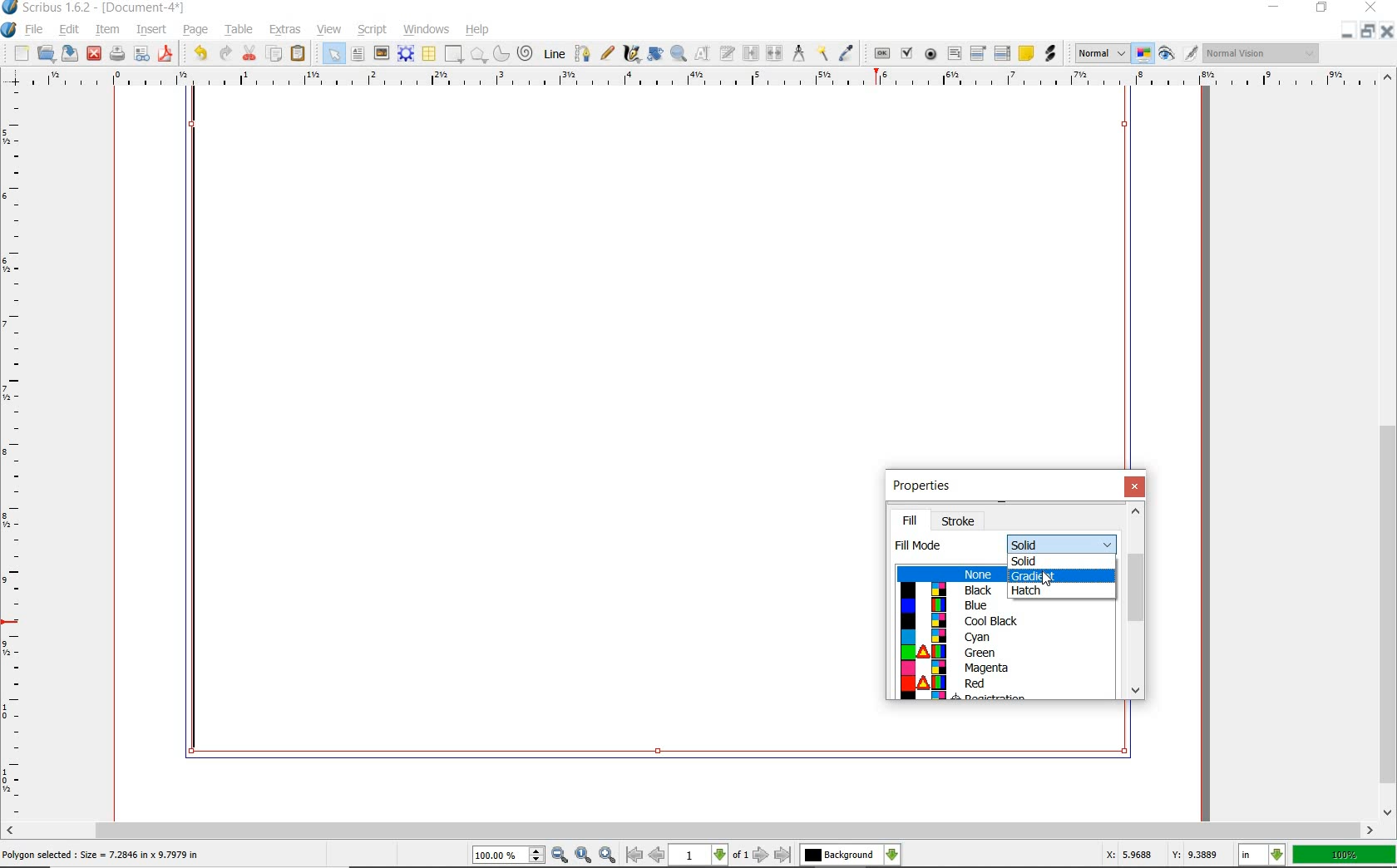  What do you see at coordinates (1137, 603) in the screenshot?
I see `scrollbar` at bounding box center [1137, 603].